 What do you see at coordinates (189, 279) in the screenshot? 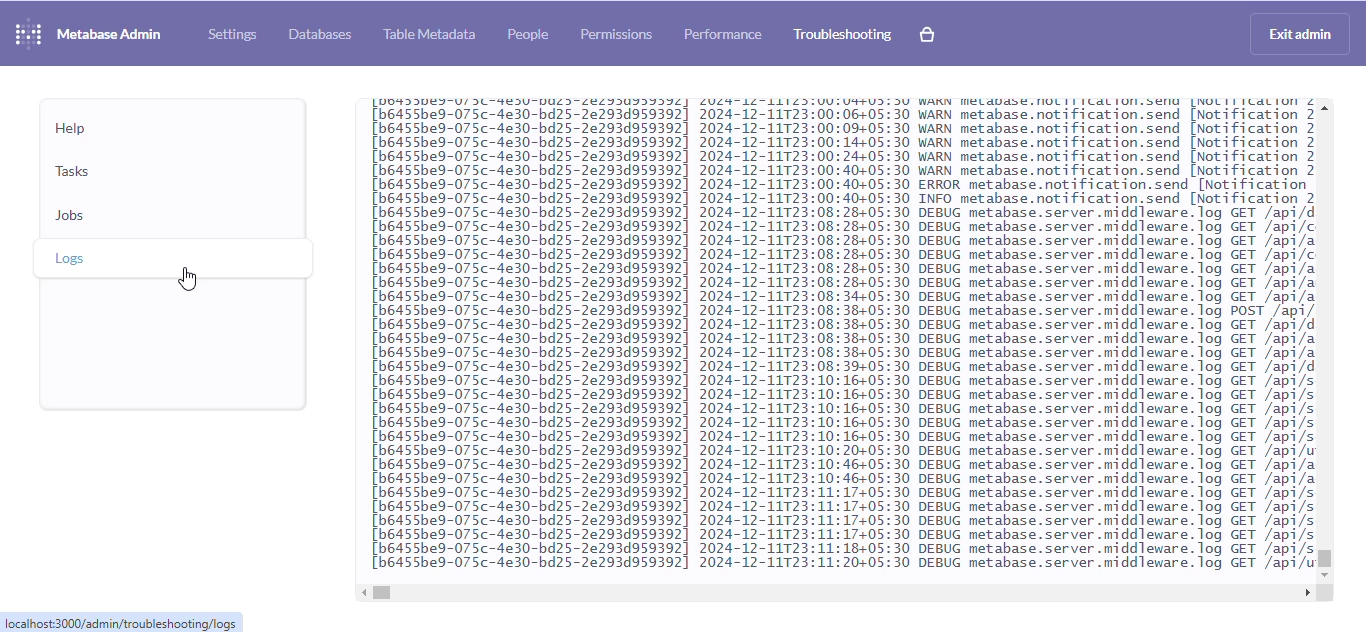
I see `cursor` at bounding box center [189, 279].